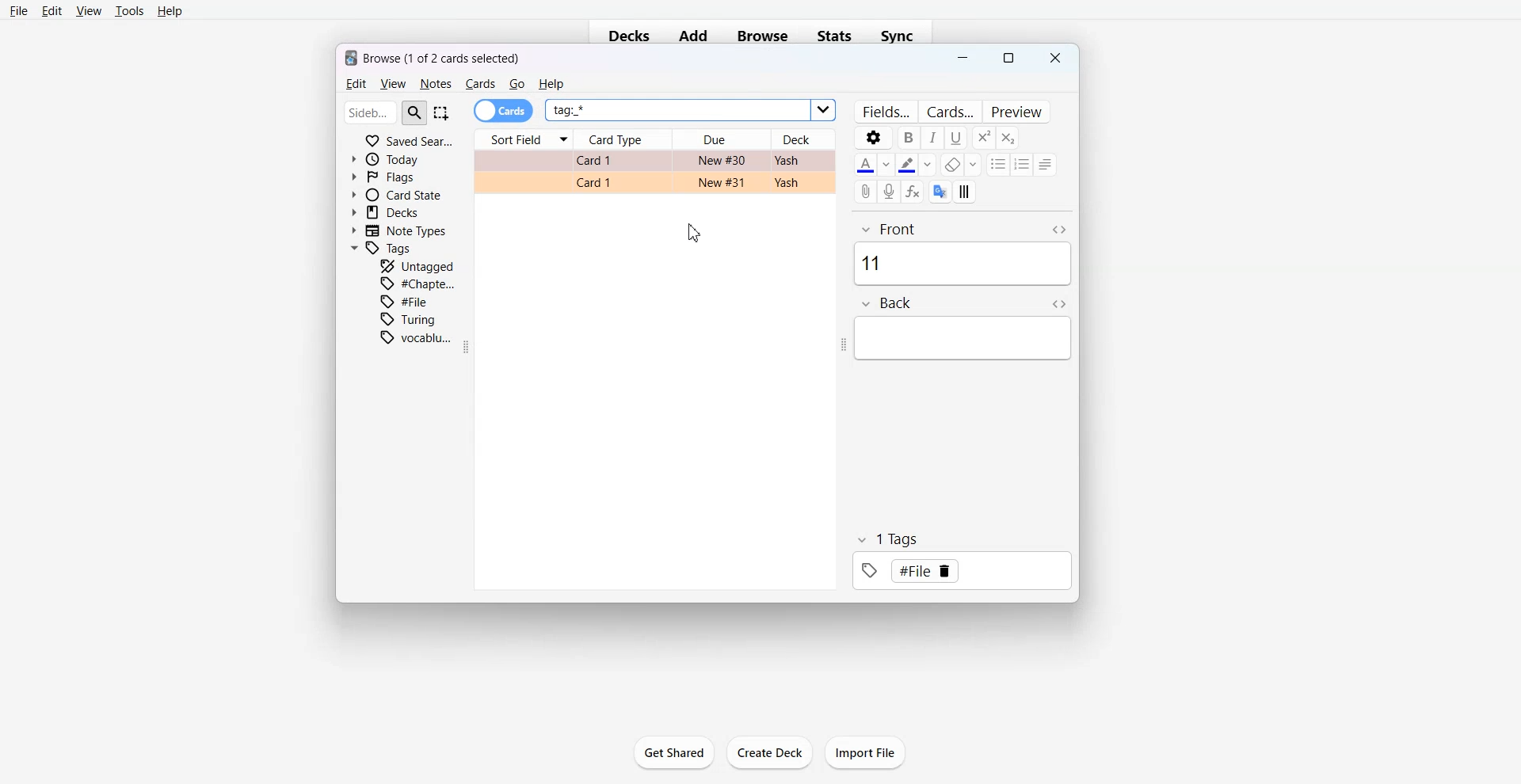 This screenshot has height=784, width=1521. Describe the element at coordinates (654, 172) in the screenshot. I see `Card File` at that location.